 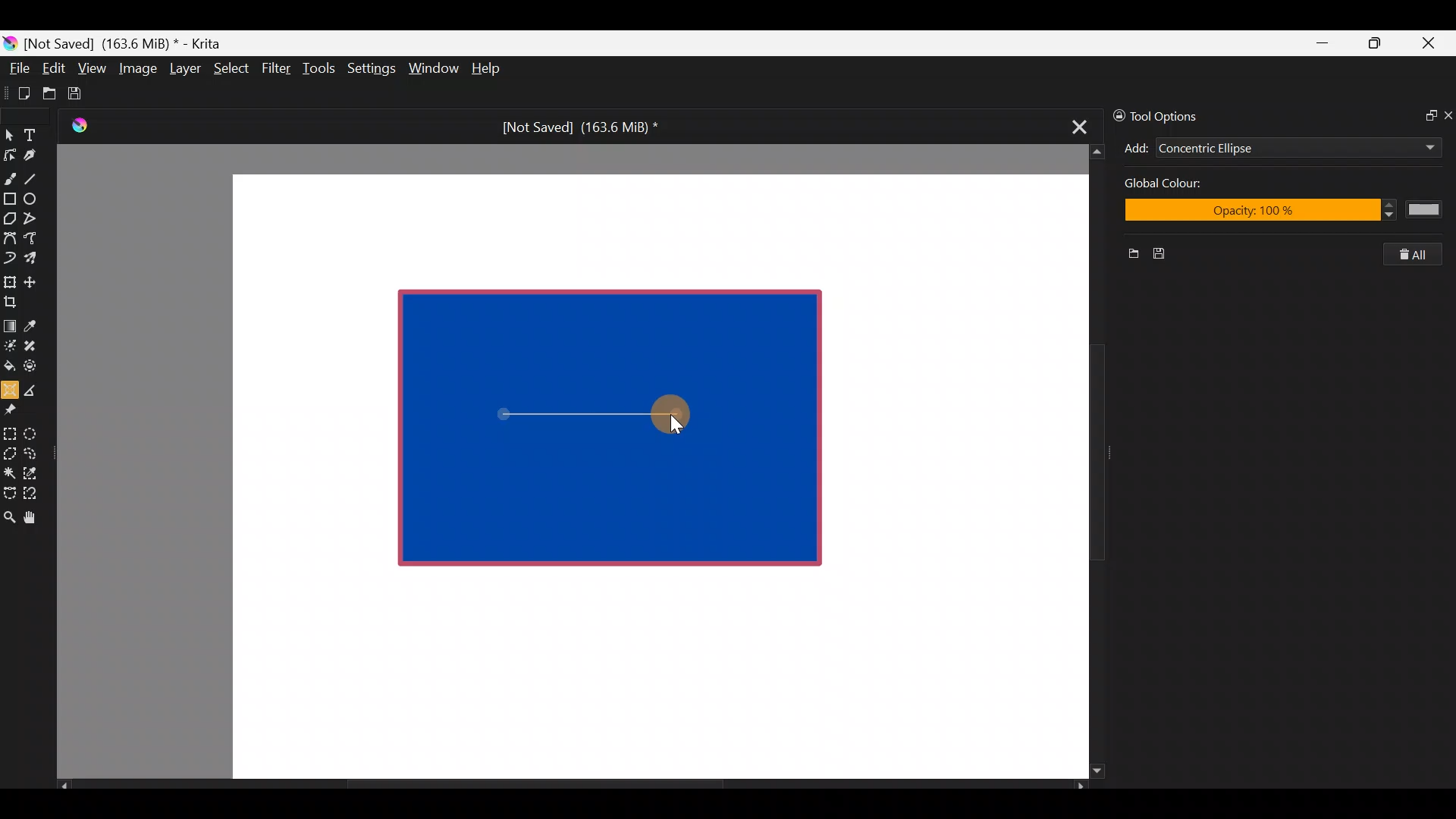 I want to click on Calligraphy, so click(x=41, y=158).